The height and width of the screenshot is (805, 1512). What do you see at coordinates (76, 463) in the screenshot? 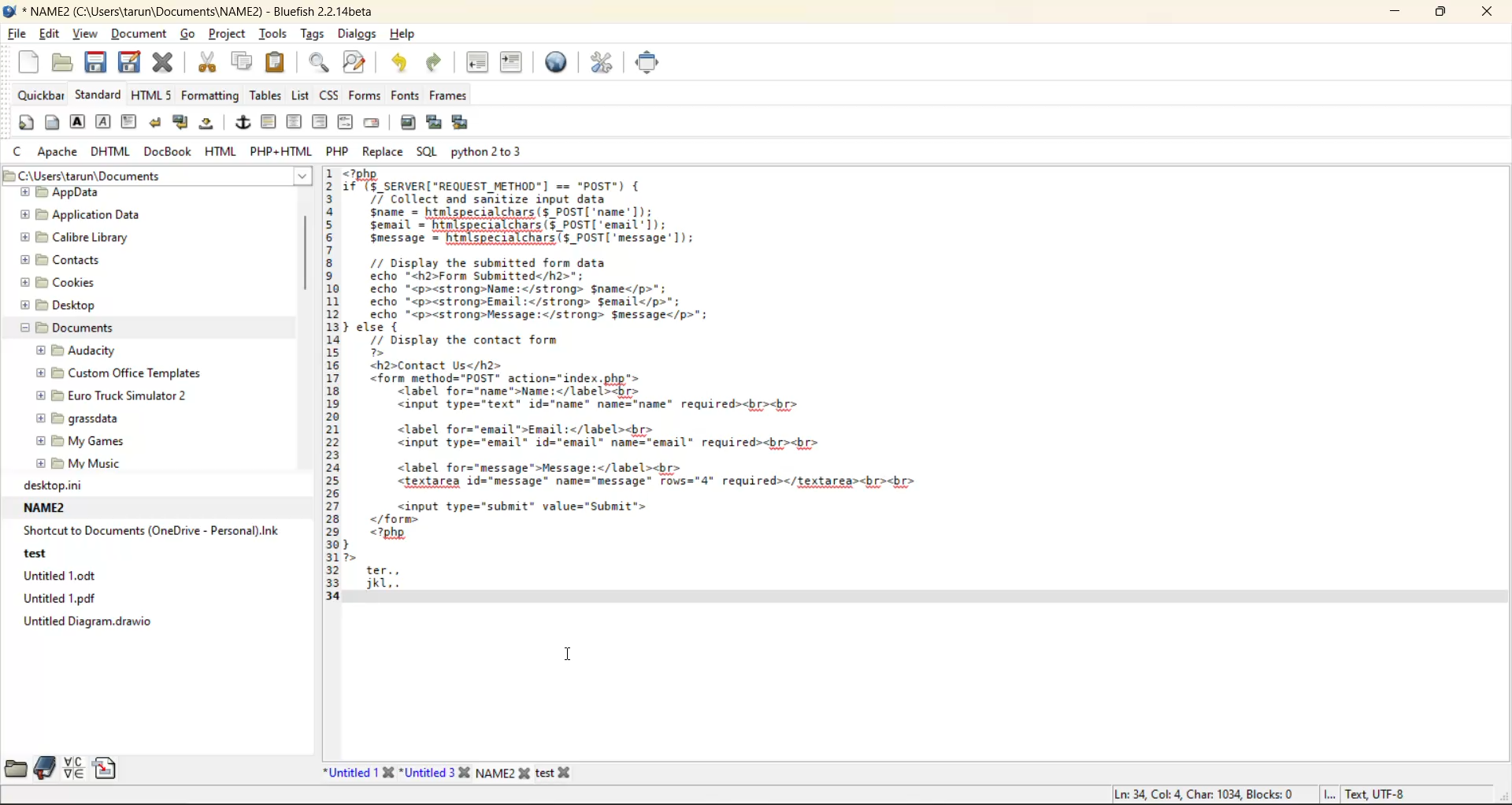
I see `My Music` at bounding box center [76, 463].